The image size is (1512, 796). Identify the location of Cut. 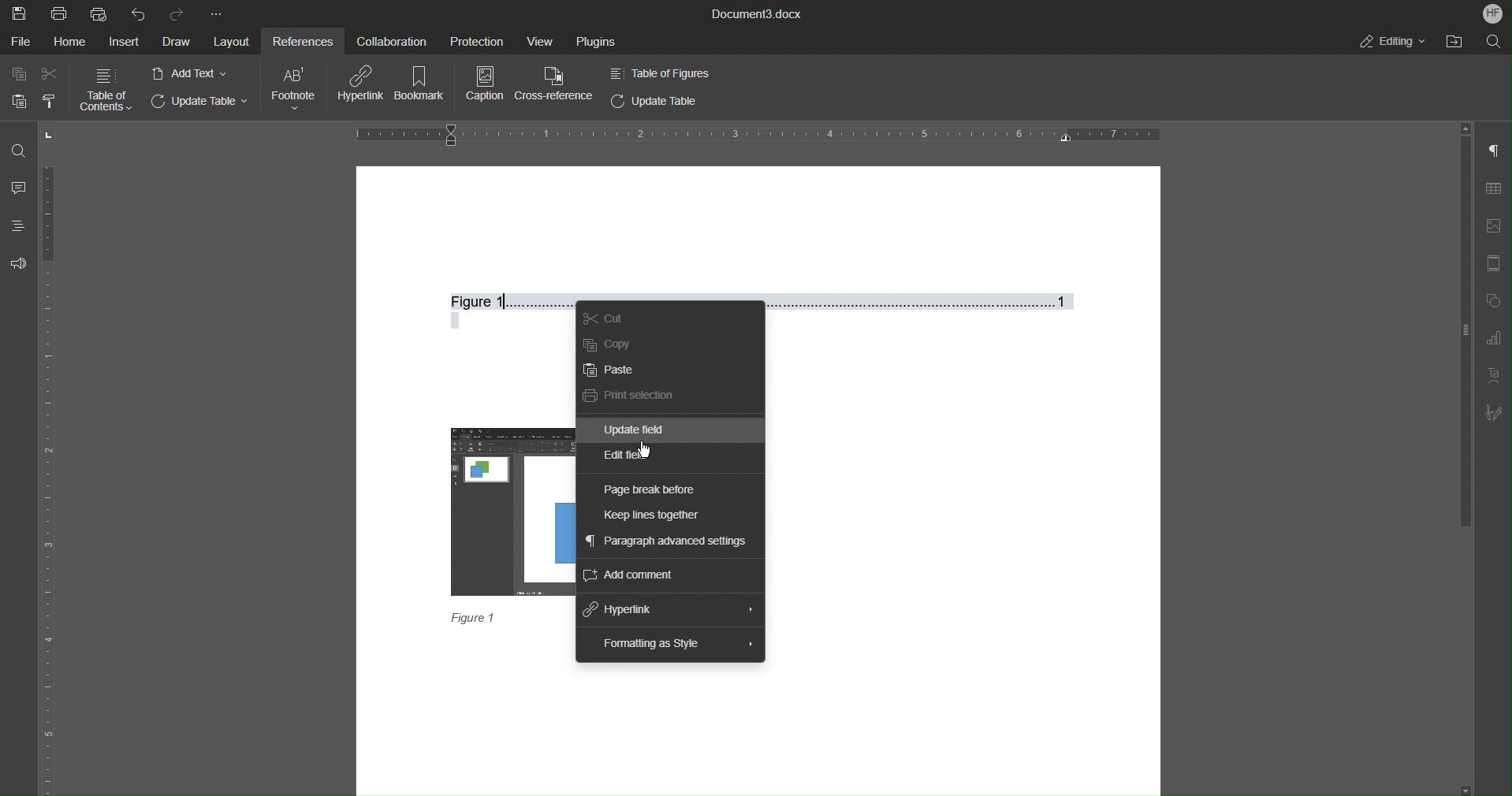
(50, 74).